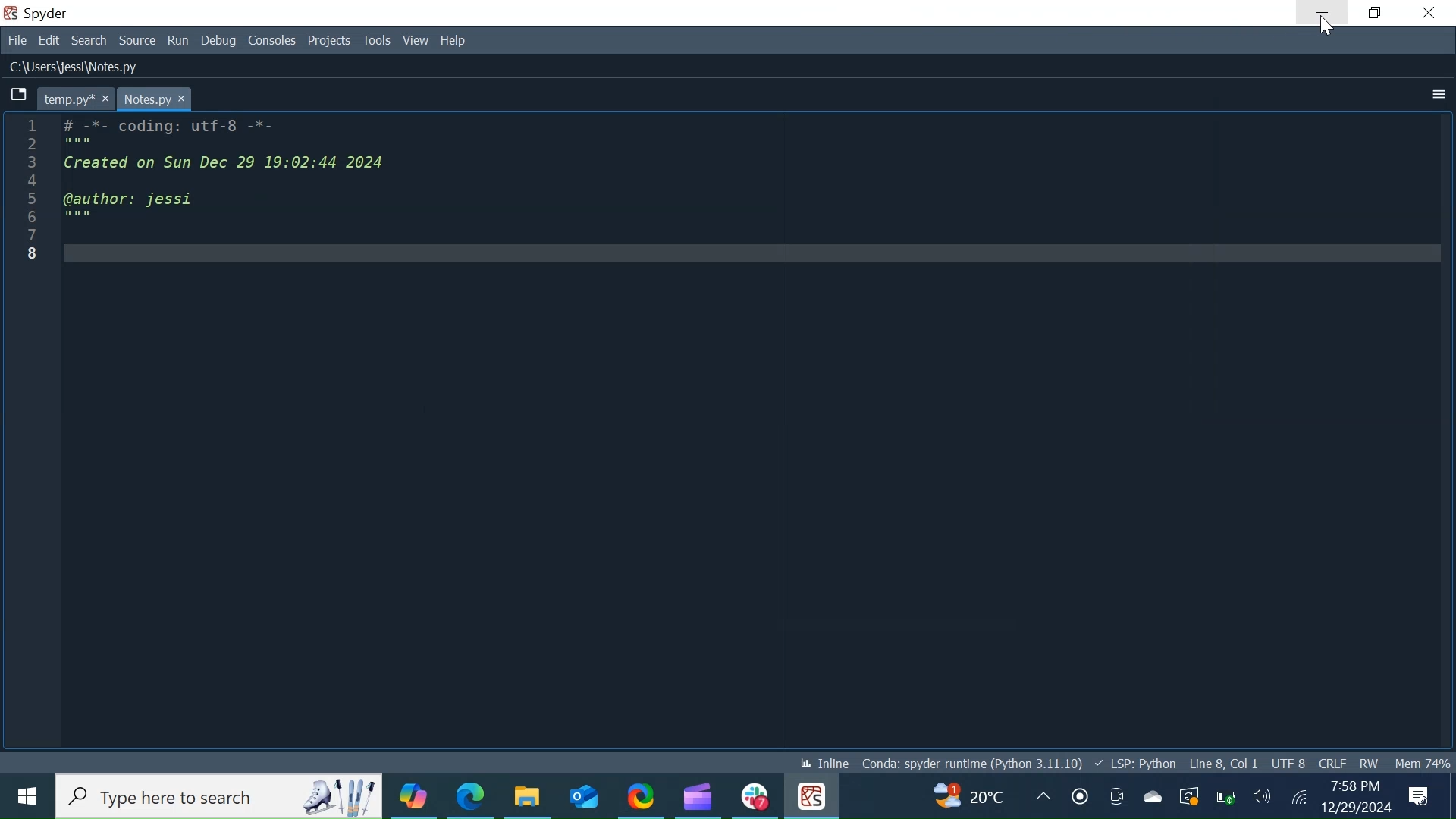 This screenshot has height=819, width=1456. I want to click on Help, so click(451, 42).